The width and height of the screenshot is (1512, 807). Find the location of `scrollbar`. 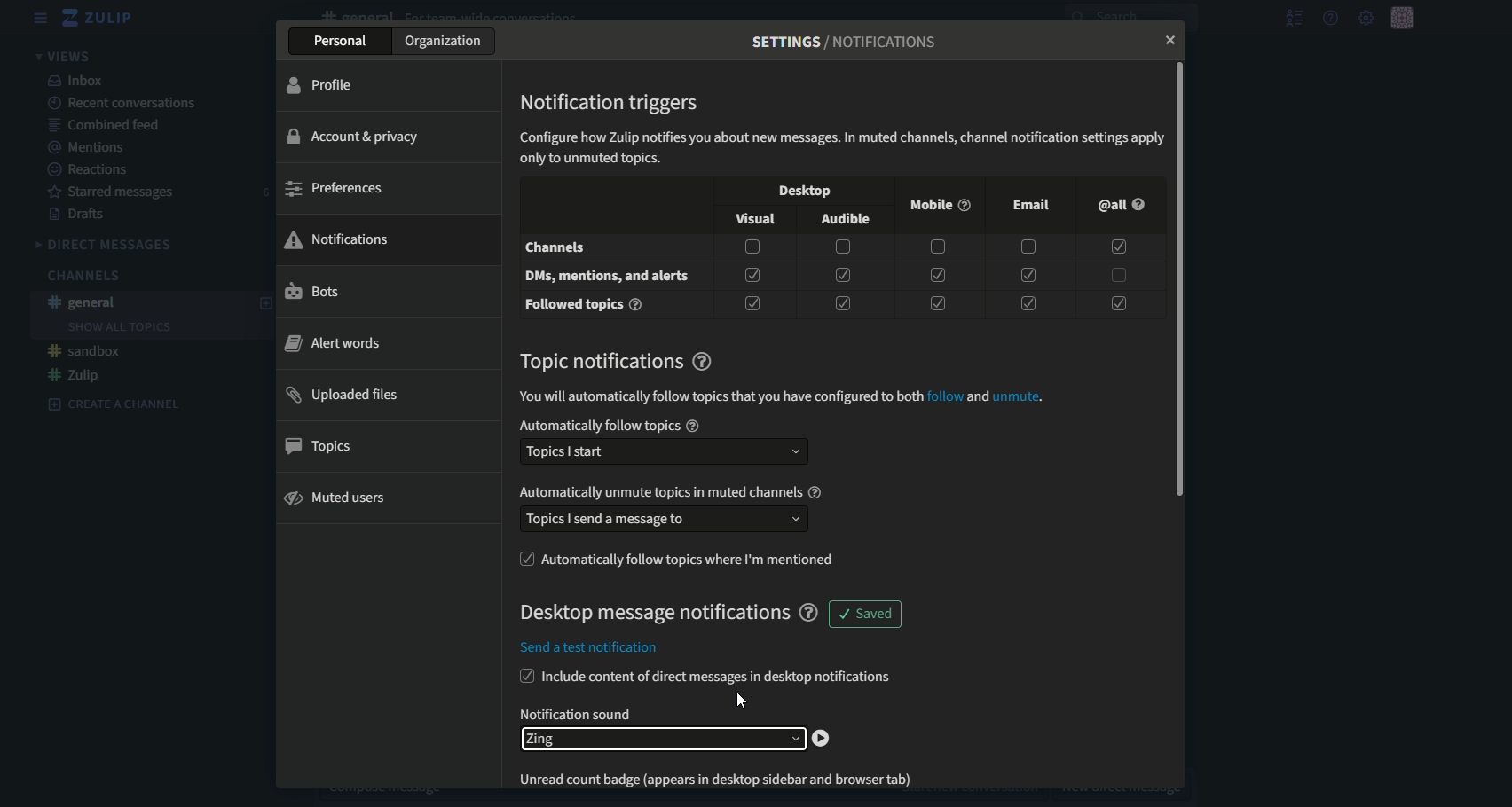

scrollbar is located at coordinates (1183, 279).